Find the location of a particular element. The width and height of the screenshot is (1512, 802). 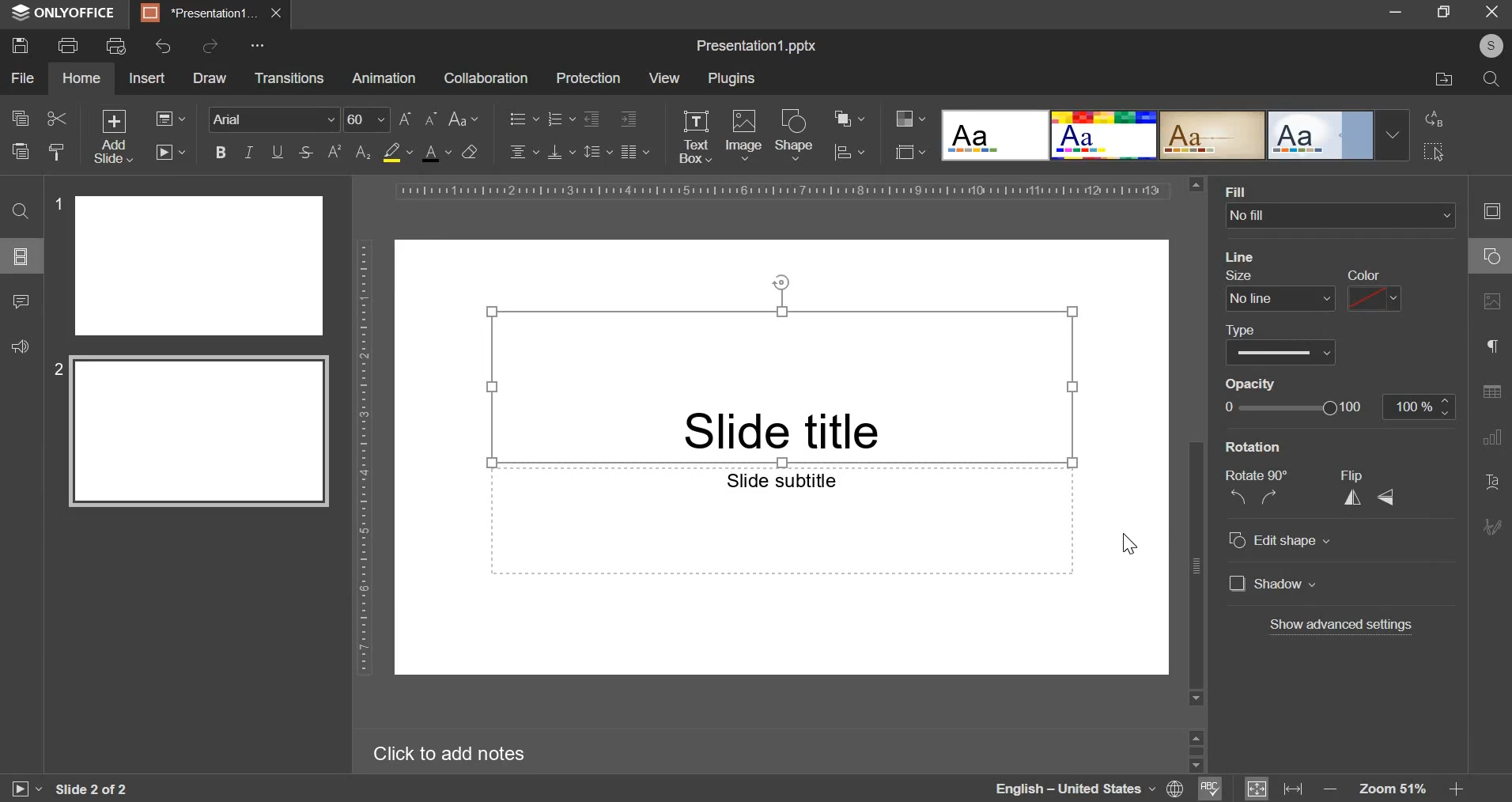

collaboration is located at coordinates (485, 78).